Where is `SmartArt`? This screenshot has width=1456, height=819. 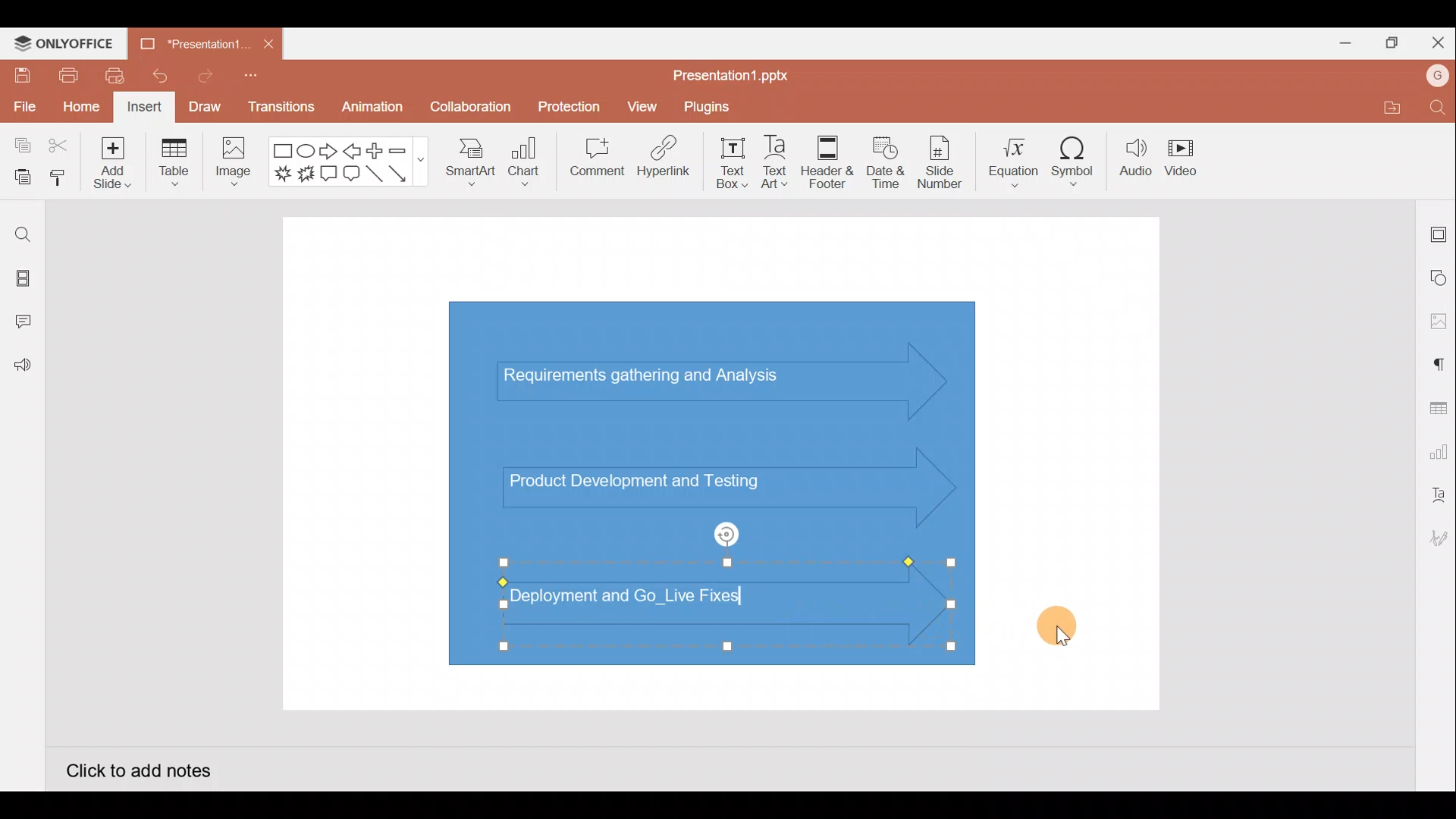
SmartArt is located at coordinates (469, 159).